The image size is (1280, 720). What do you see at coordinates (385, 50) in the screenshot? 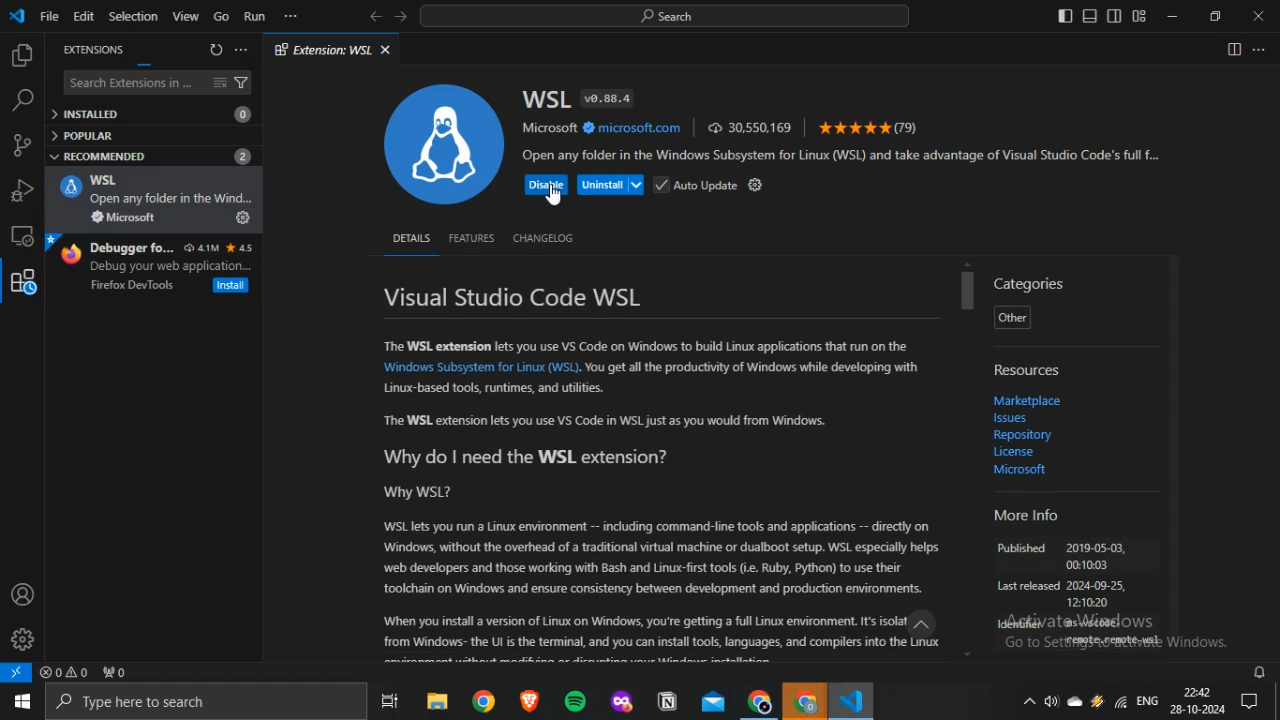
I see `close` at bounding box center [385, 50].